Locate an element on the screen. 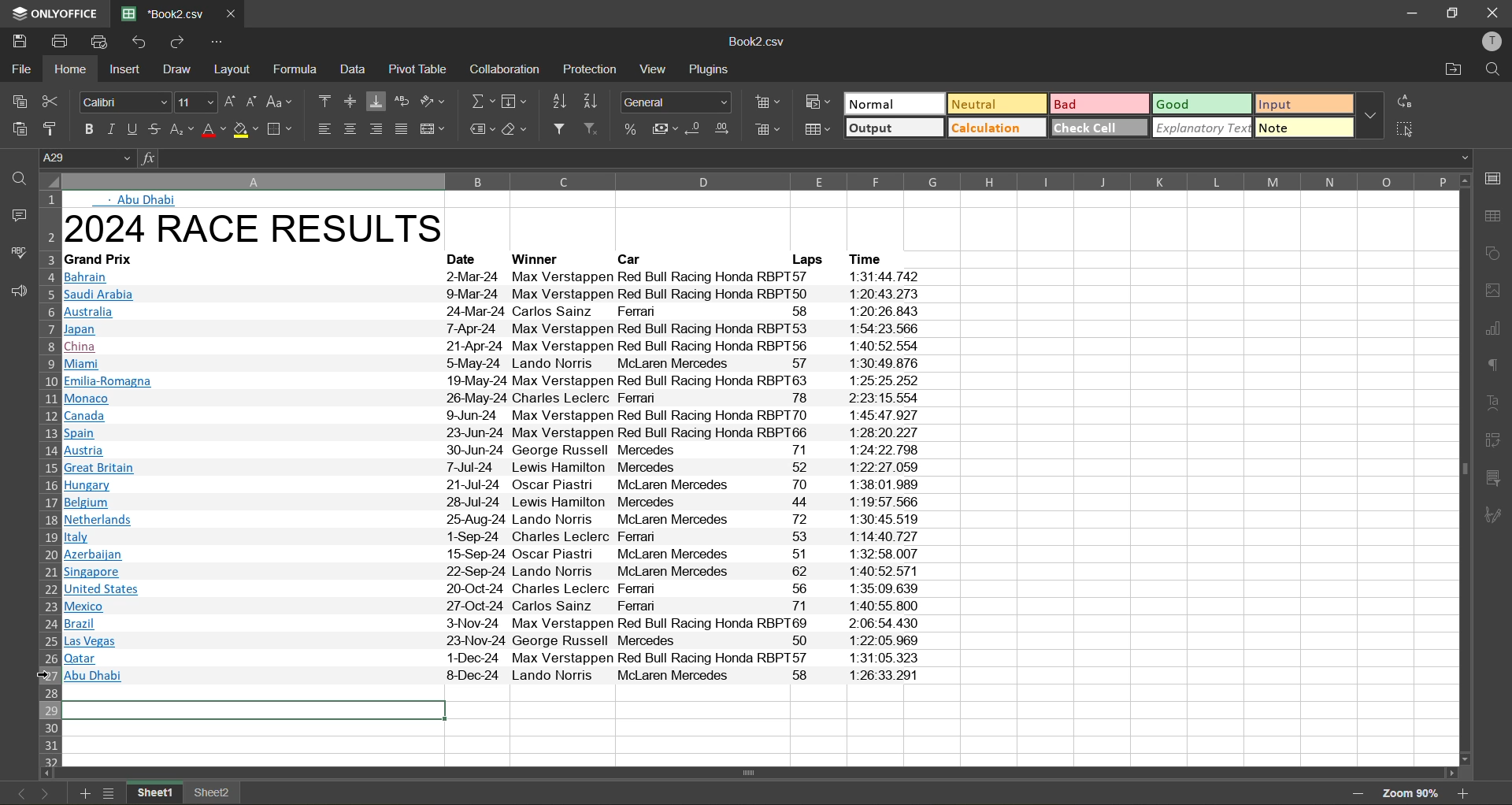 The height and width of the screenshot is (805, 1512). table is located at coordinates (1495, 217).